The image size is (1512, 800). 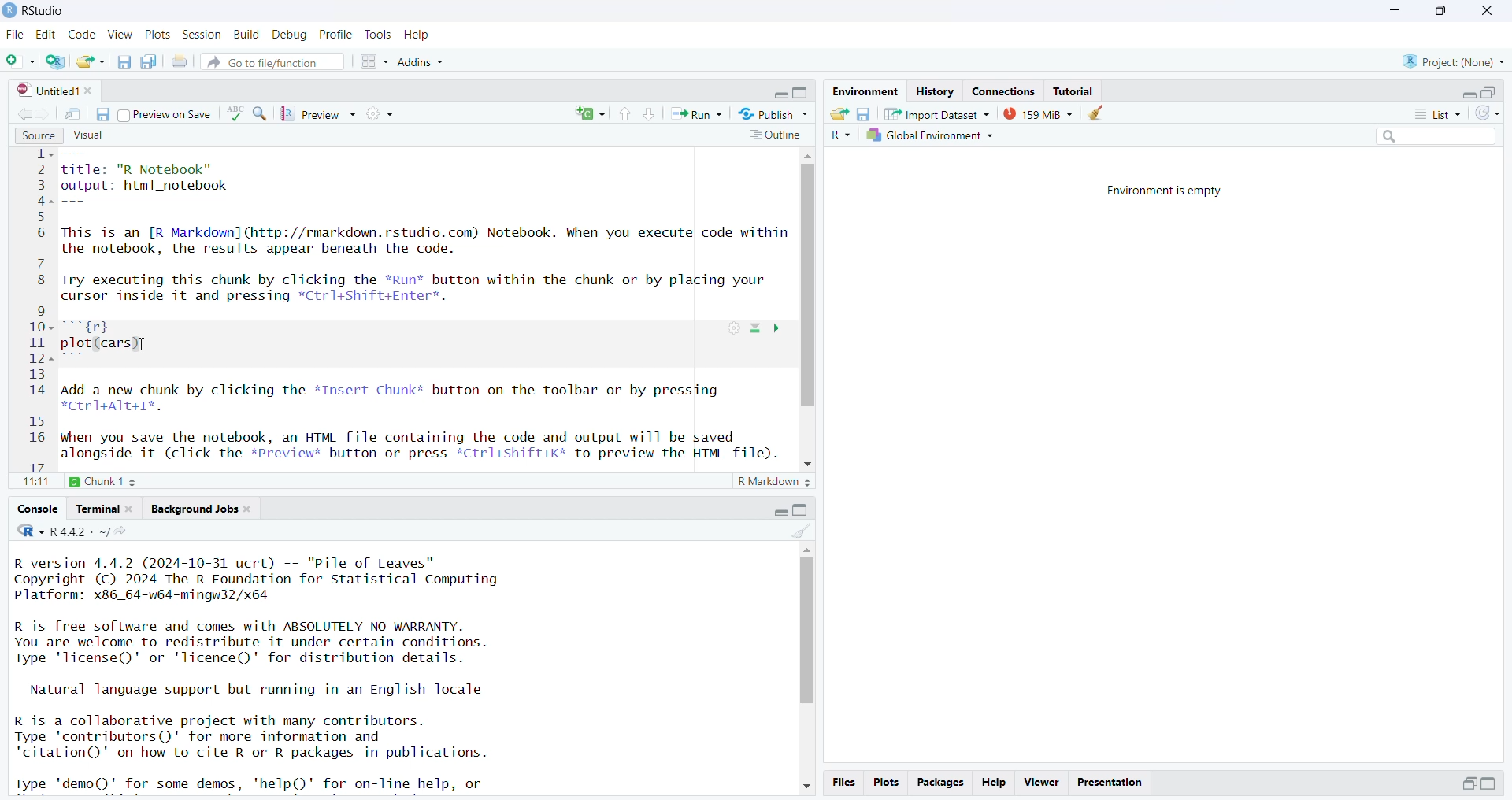 What do you see at coordinates (379, 35) in the screenshot?
I see `tools` at bounding box center [379, 35].